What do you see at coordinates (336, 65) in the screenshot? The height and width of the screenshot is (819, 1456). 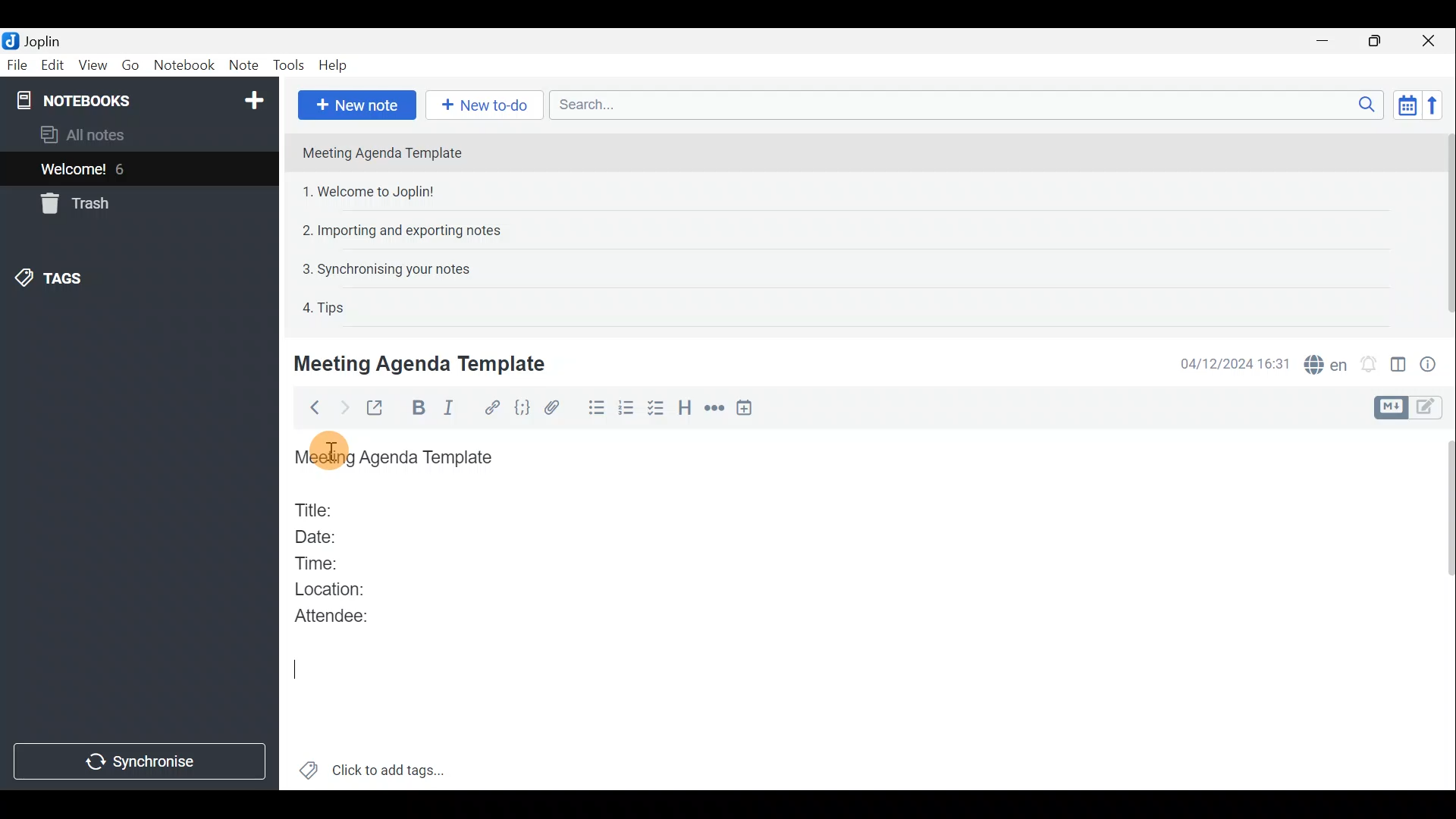 I see `Help` at bounding box center [336, 65].